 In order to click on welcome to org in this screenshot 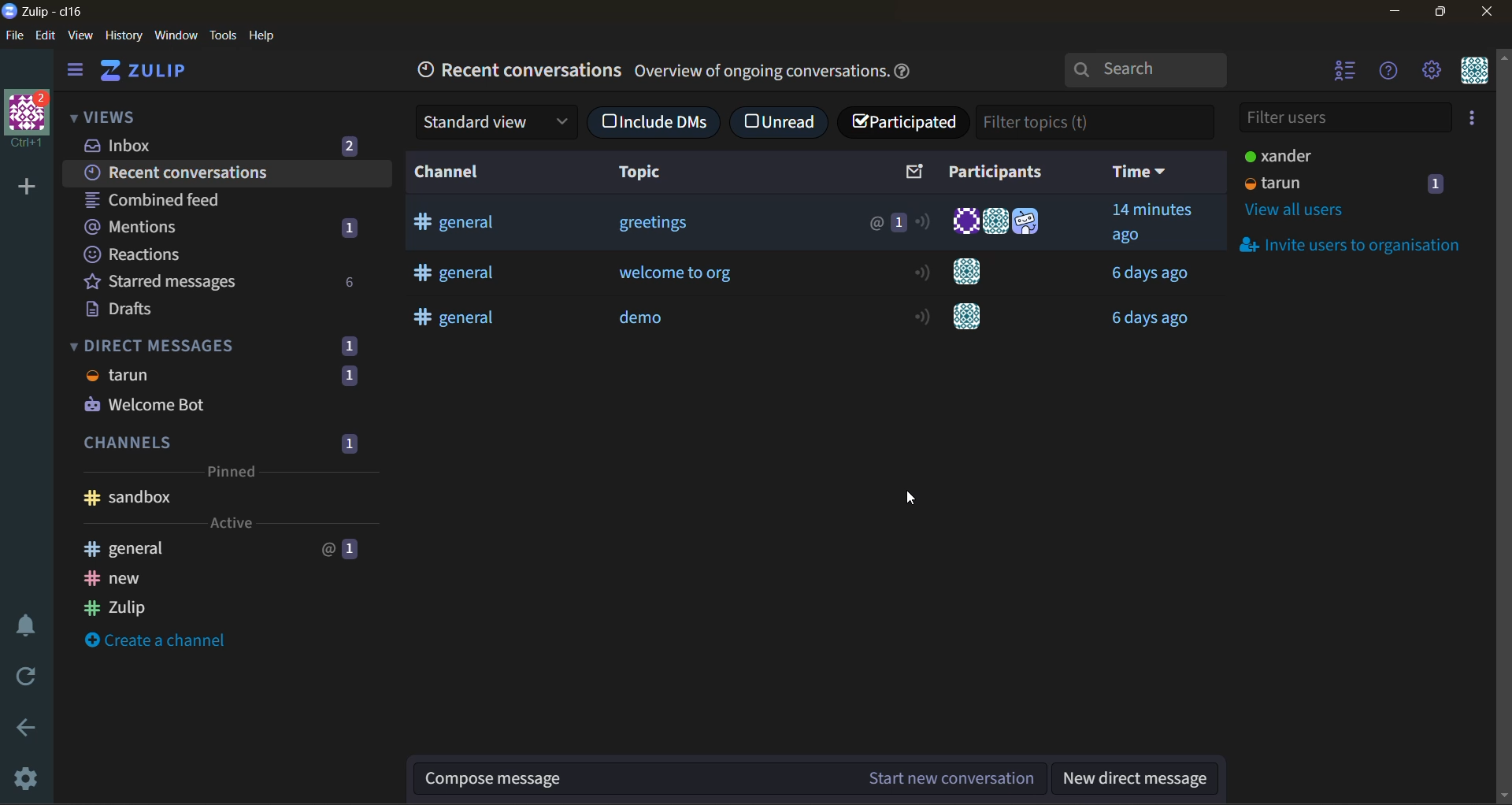, I will do `click(662, 277)`.